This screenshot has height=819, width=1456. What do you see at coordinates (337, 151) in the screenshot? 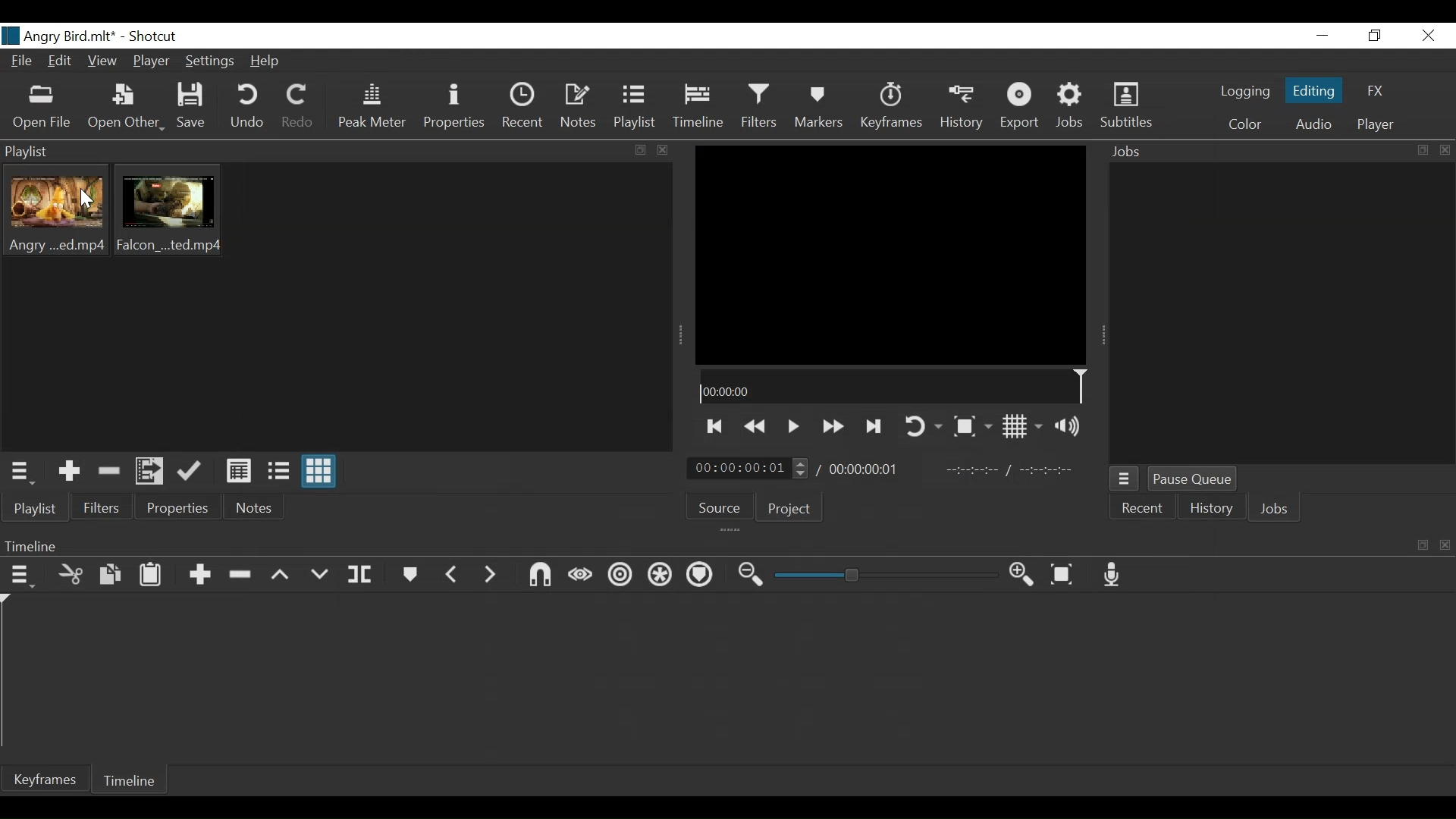
I see `Playlist Panel` at bounding box center [337, 151].